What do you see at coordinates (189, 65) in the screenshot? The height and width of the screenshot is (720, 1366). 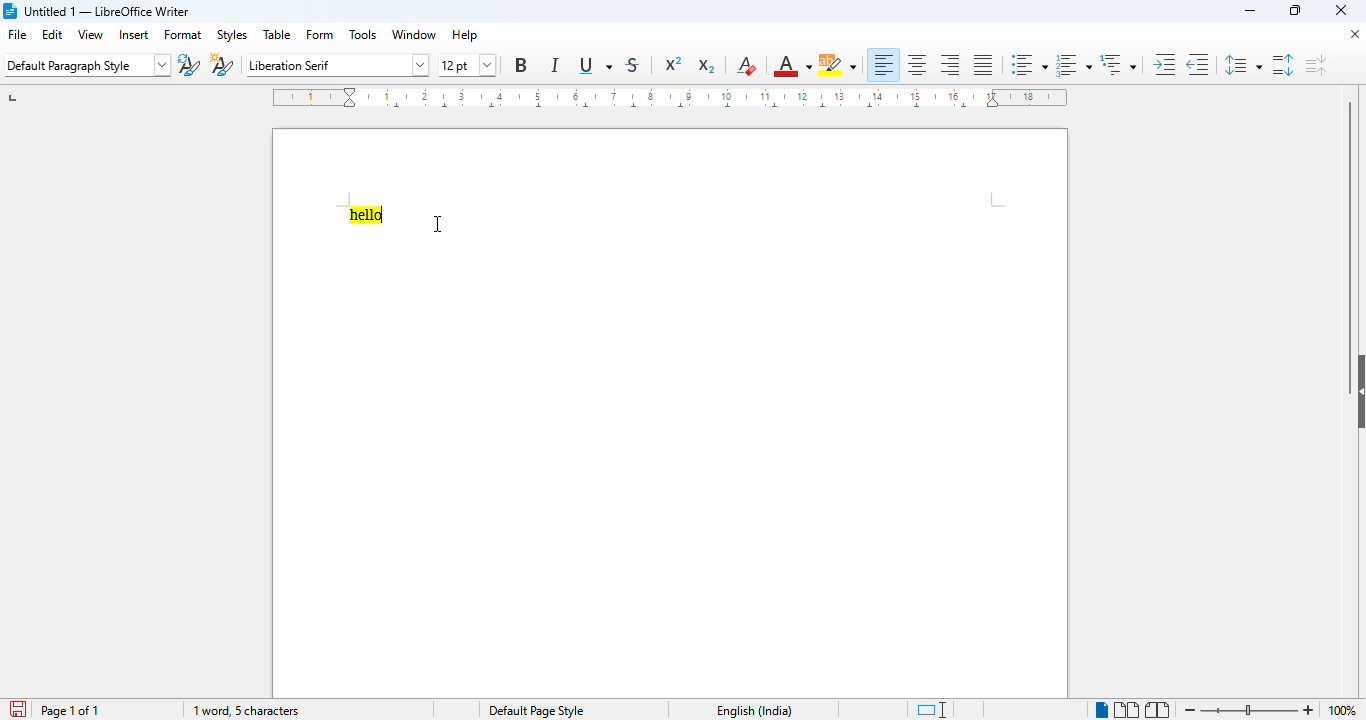 I see `update selected style` at bounding box center [189, 65].